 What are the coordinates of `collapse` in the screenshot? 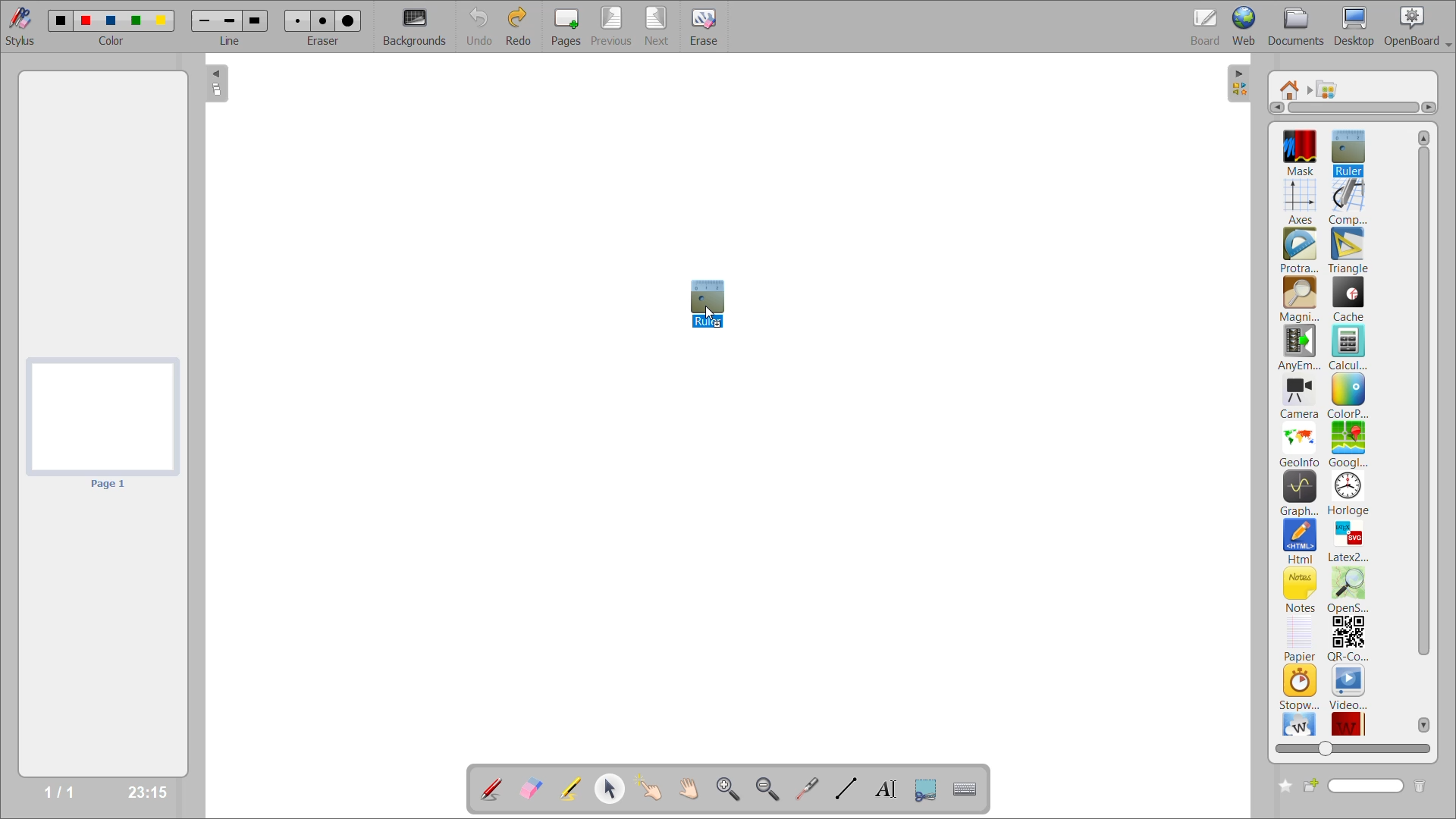 It's located at (1241, 84).